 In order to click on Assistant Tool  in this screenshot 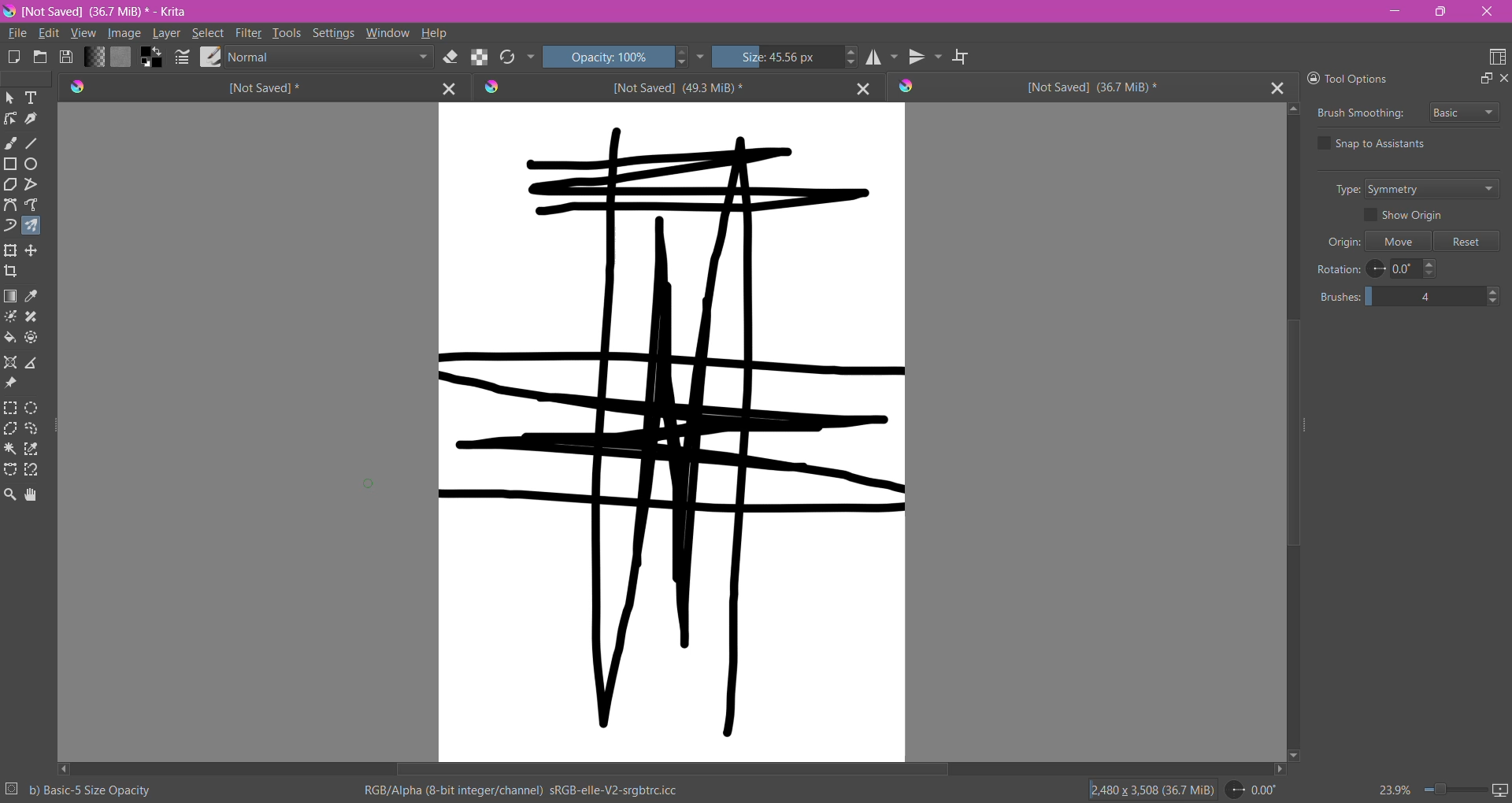, I will do `click(11, 362)`.